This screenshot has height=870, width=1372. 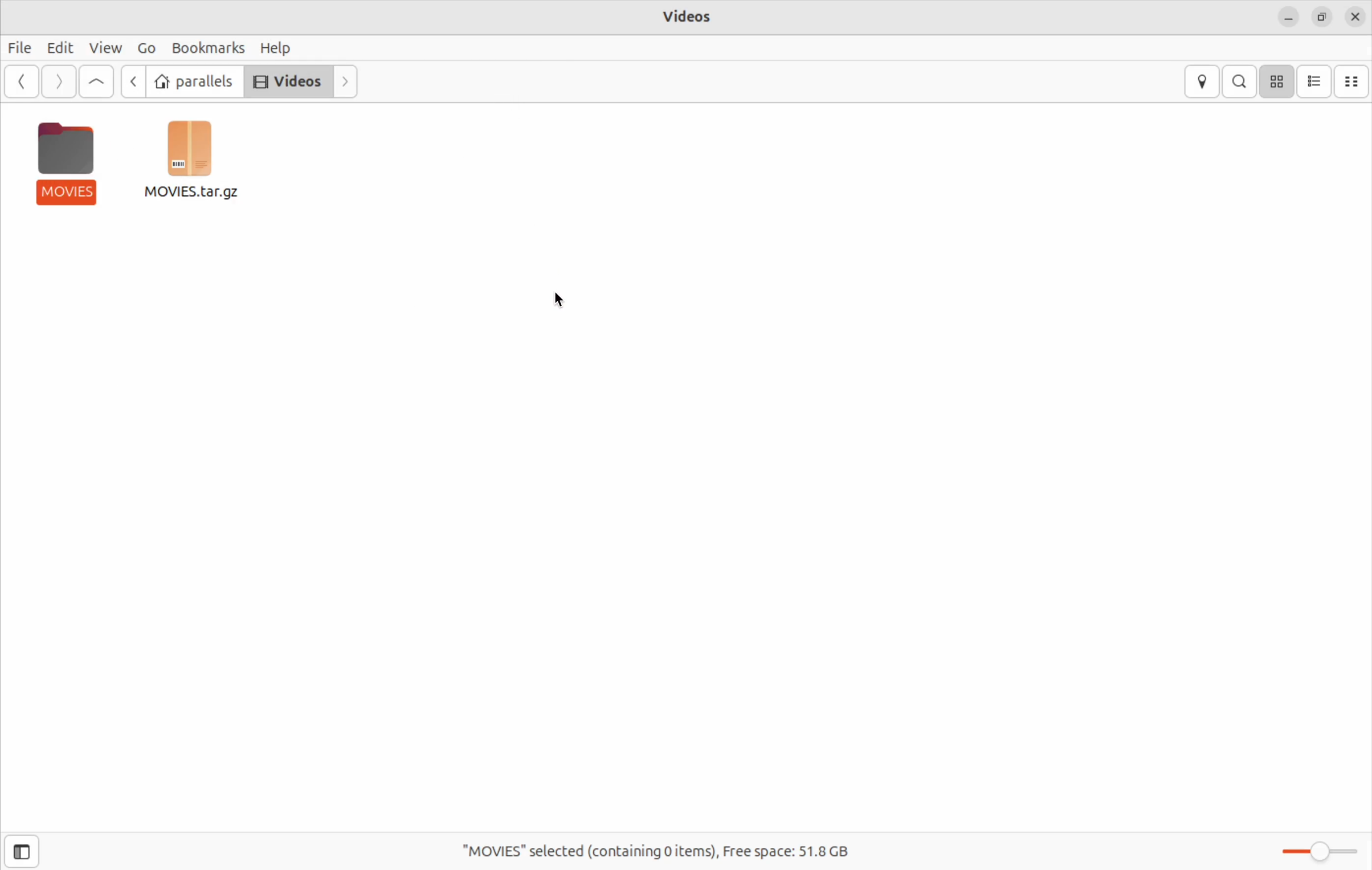 I want to click on close, so click(x=1355, y=16).